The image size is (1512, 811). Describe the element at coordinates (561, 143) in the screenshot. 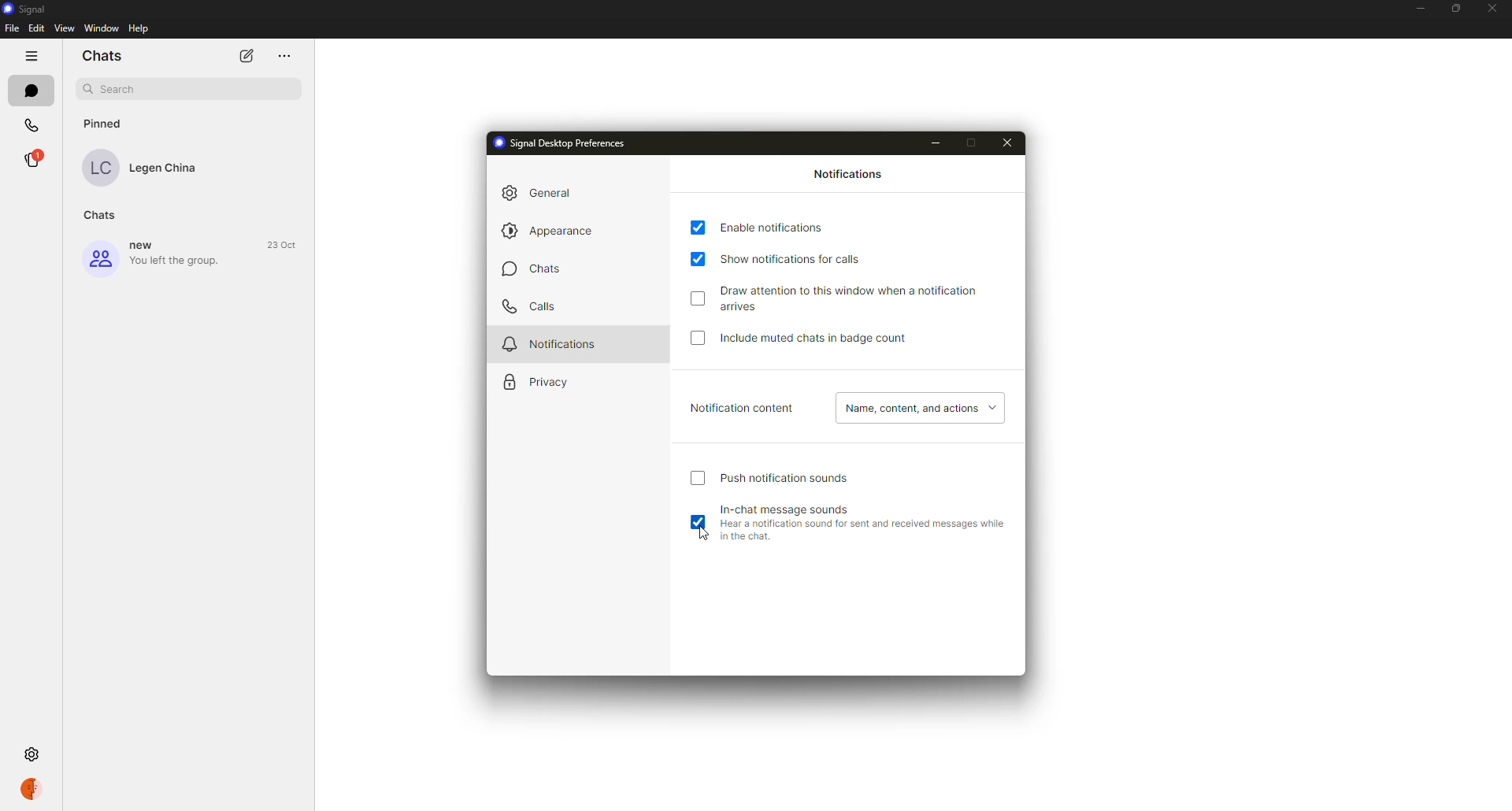

I see `signal desktop preferences` at that location.